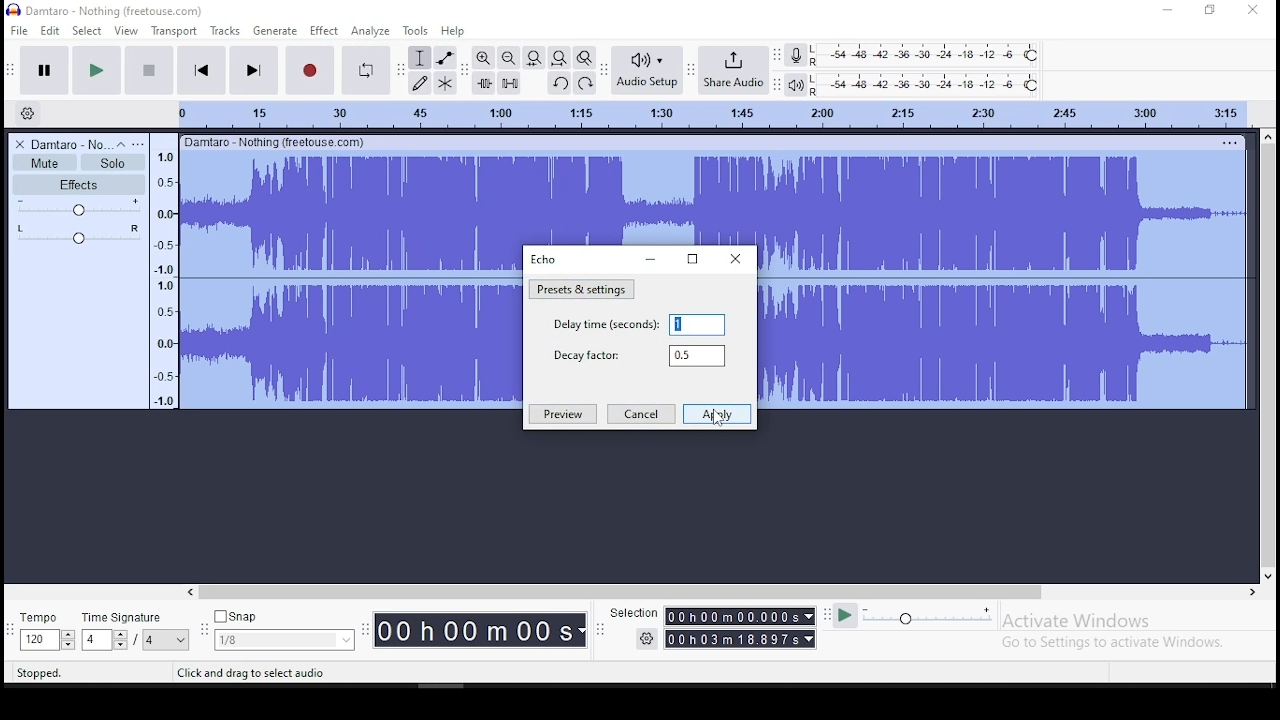 The image size is (1280, 720). Describe the element at coordinates (1231, 140) in the screenshot. I see `` at that location.